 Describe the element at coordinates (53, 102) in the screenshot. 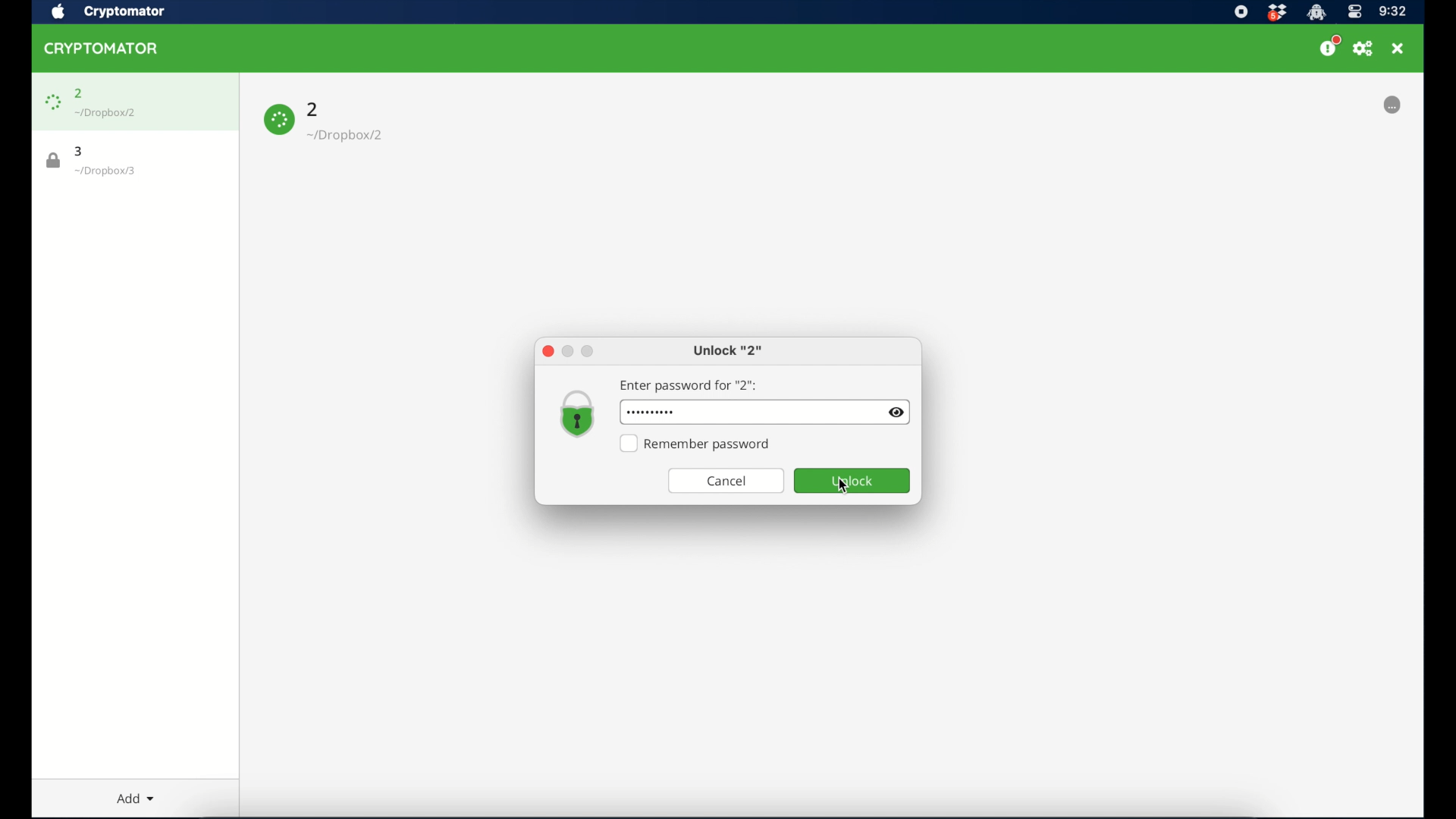

I see `lock icon` at that location.